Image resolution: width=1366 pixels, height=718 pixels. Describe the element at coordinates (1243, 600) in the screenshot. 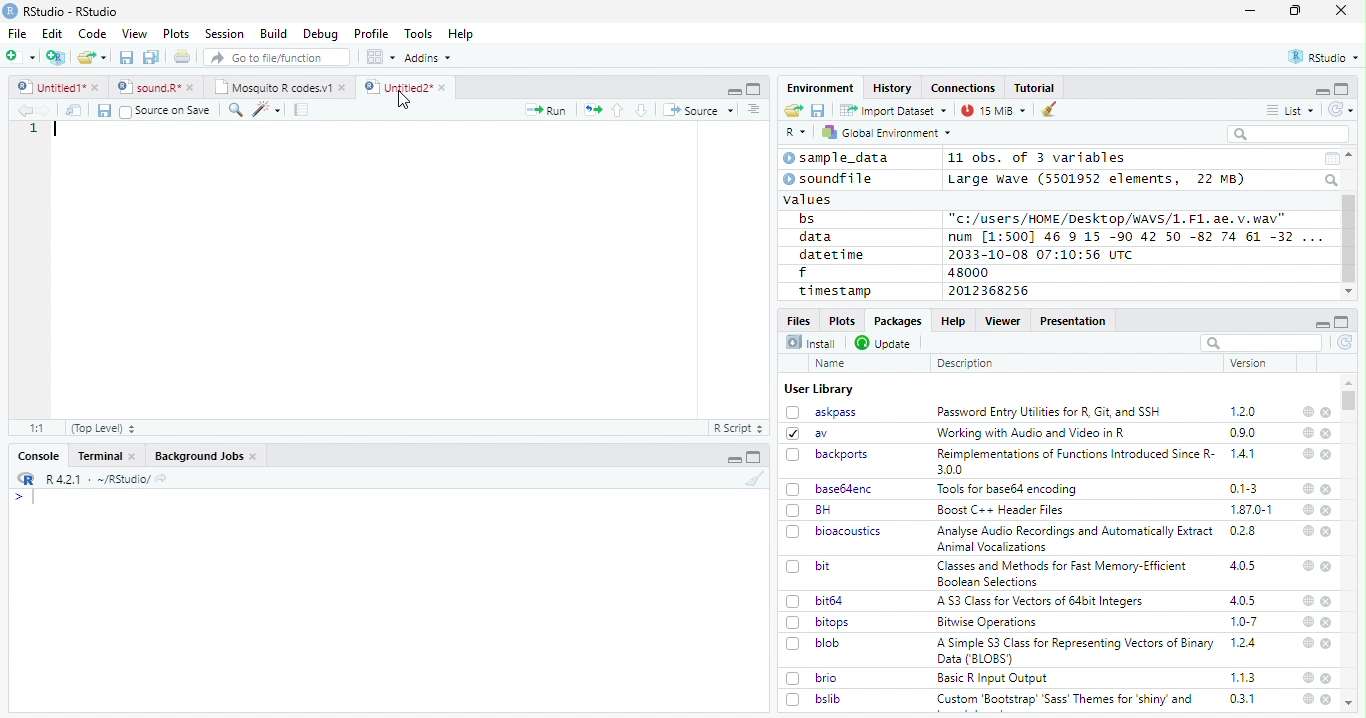

I see `4.0.5` at that location.